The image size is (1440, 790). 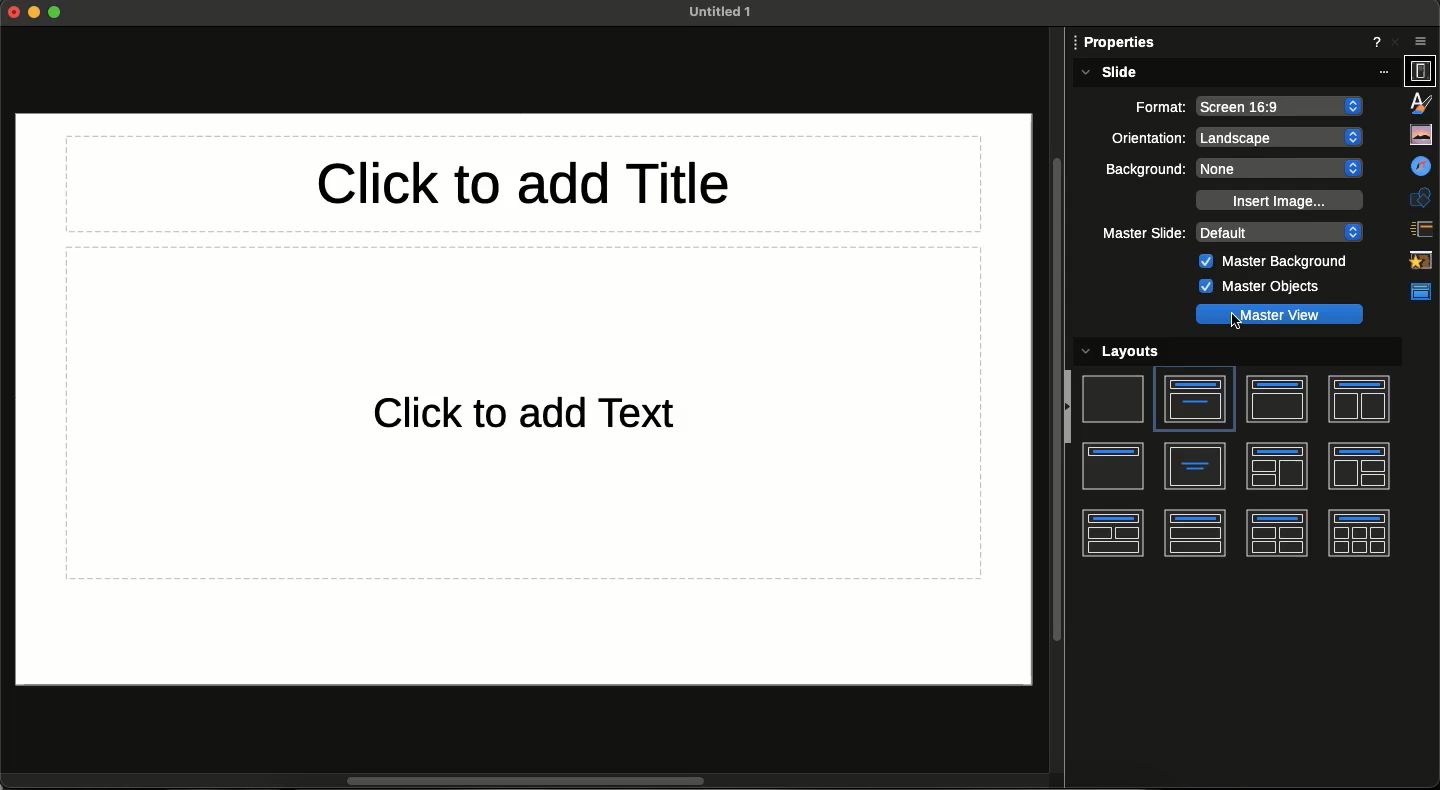 What do you see at coordinates (1196, 466) in the screenshot?
I see `Text` at bounding box center [1196, 466].